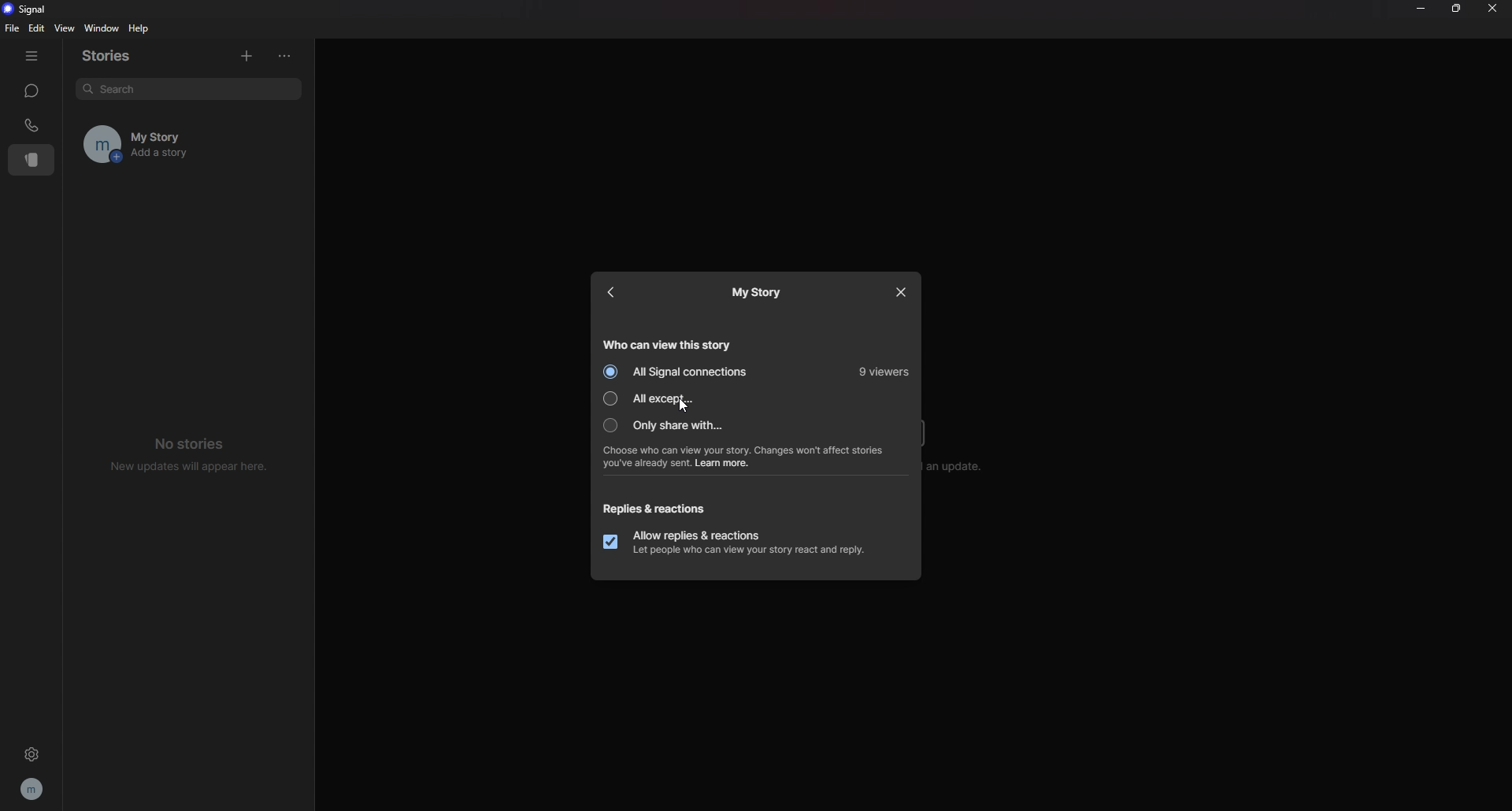 The image size is (1512, 811). What do you see at coordinates (246, 54) in the screenshot?
I see `add stories` at bounding box center [246, 54].